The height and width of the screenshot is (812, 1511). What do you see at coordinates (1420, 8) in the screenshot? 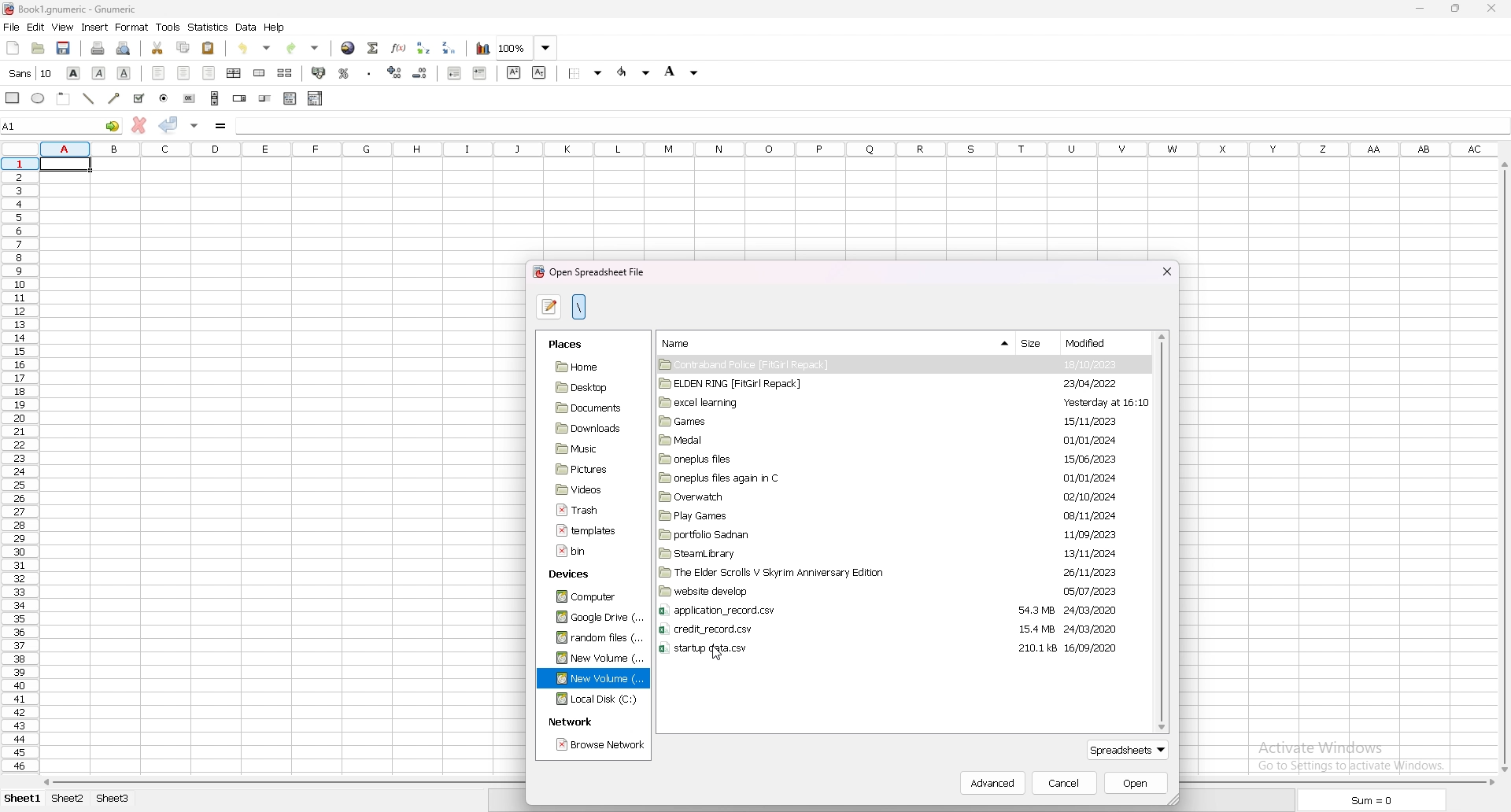
I see `minimize` at bounding box center [1420, 8].